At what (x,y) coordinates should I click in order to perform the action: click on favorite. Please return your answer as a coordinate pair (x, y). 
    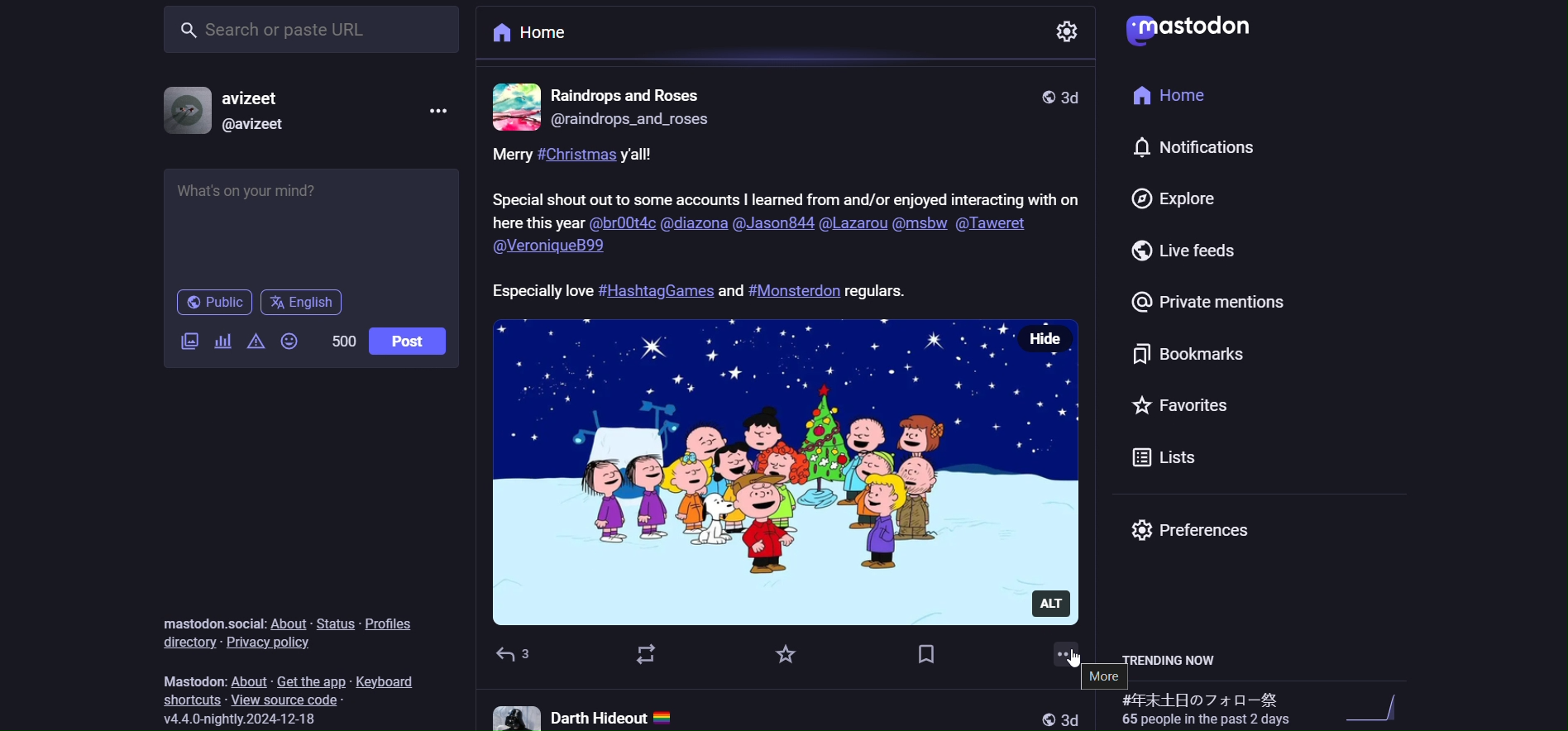
    Looking at the image, I should click on (784, 654).